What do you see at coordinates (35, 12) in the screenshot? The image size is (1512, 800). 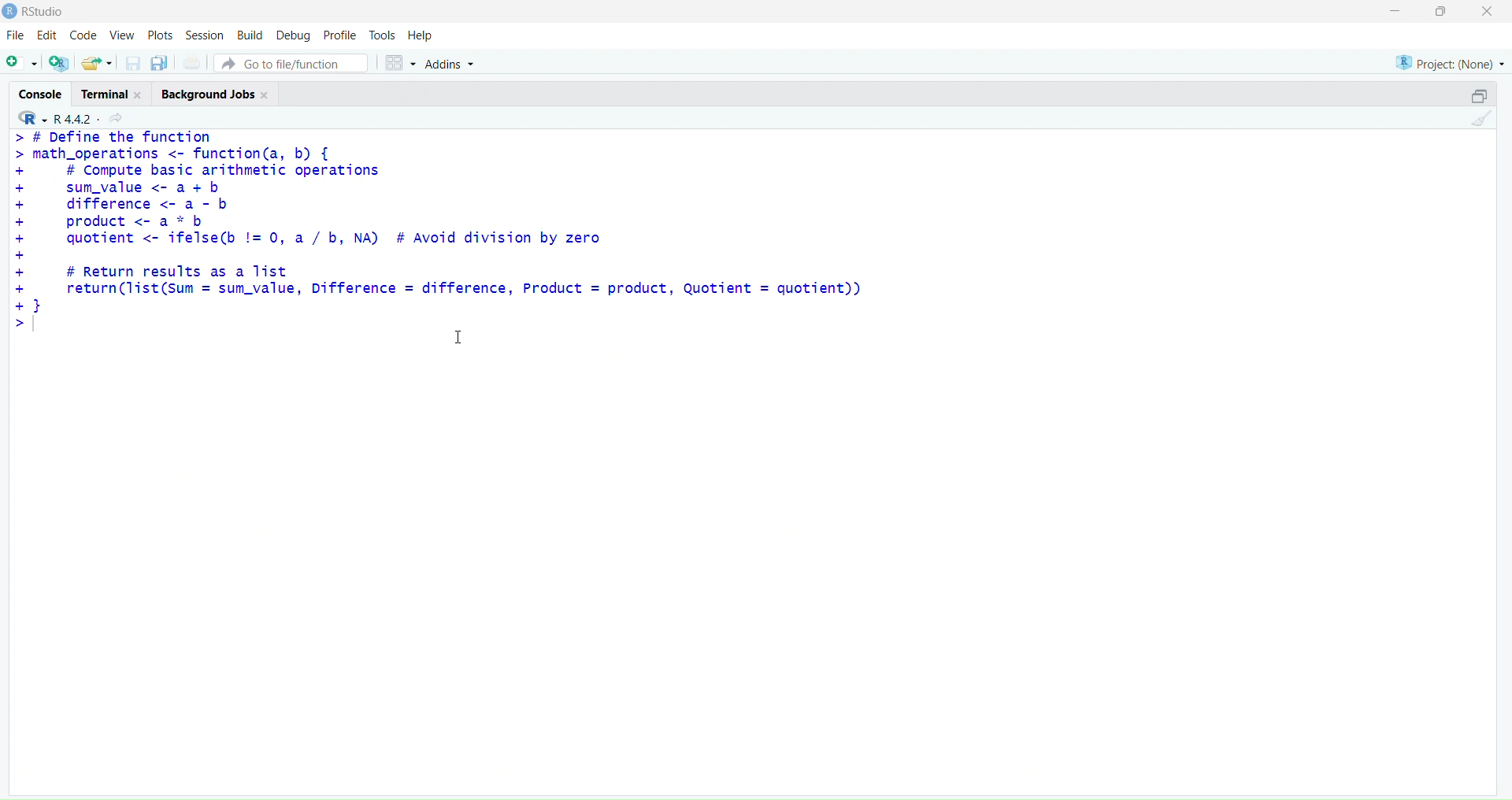 I see `RStudio` at bounding box center [35, 12].